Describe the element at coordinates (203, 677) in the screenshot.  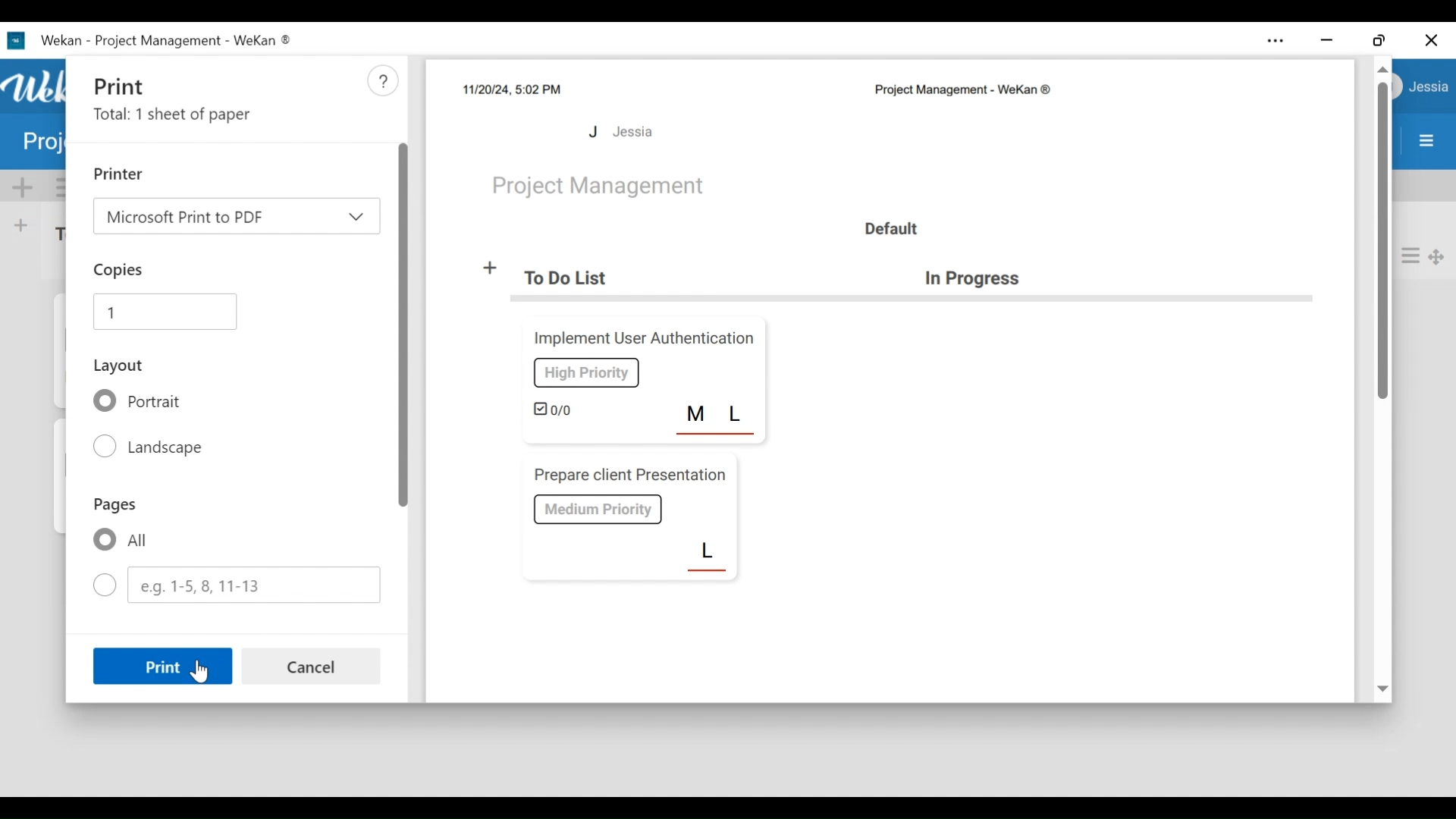
I see `cursor` at that location.